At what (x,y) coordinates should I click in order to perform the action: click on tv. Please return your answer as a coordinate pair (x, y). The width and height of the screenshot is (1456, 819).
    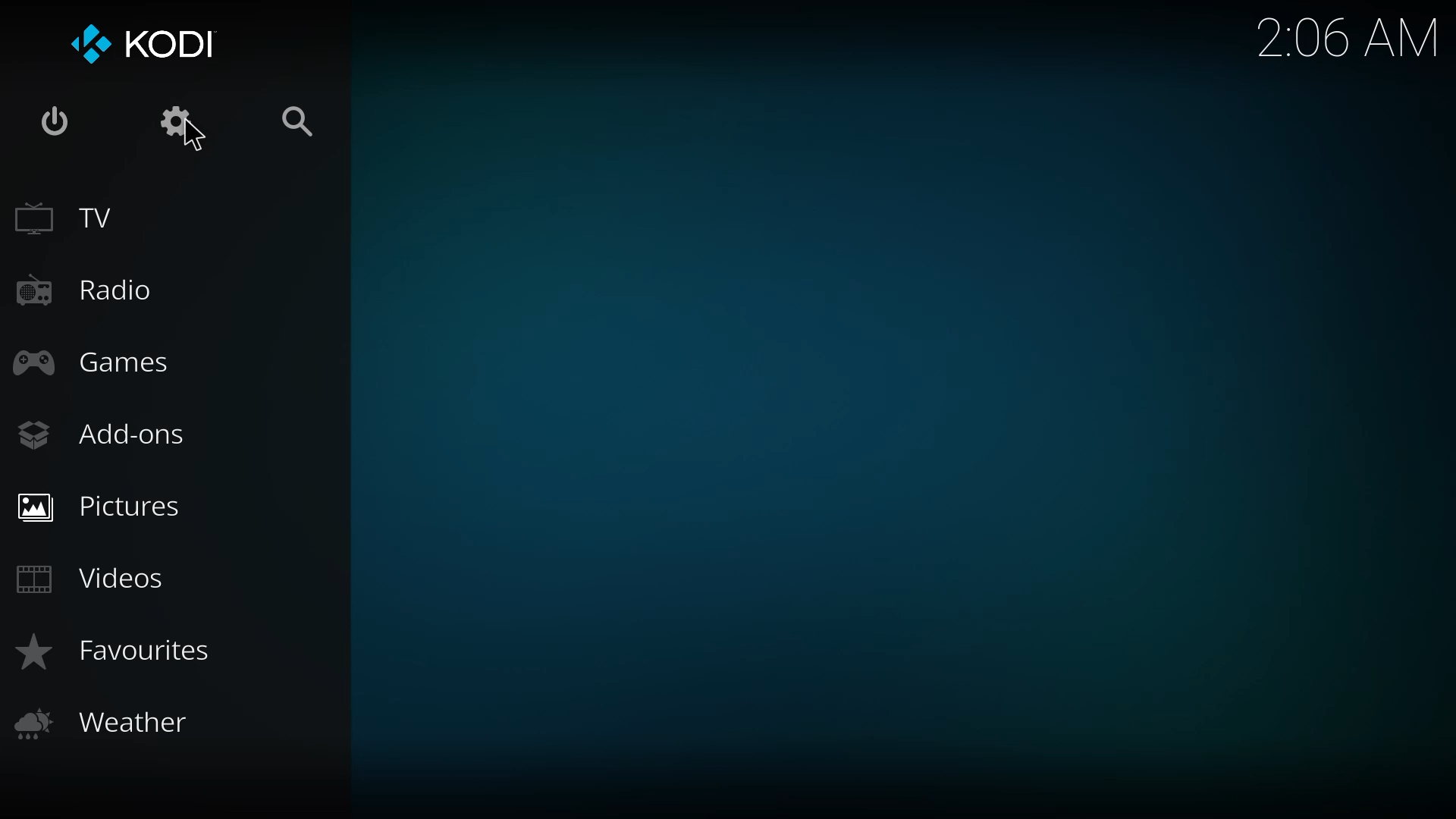
    Looking at the image, I should click on (70, 215).